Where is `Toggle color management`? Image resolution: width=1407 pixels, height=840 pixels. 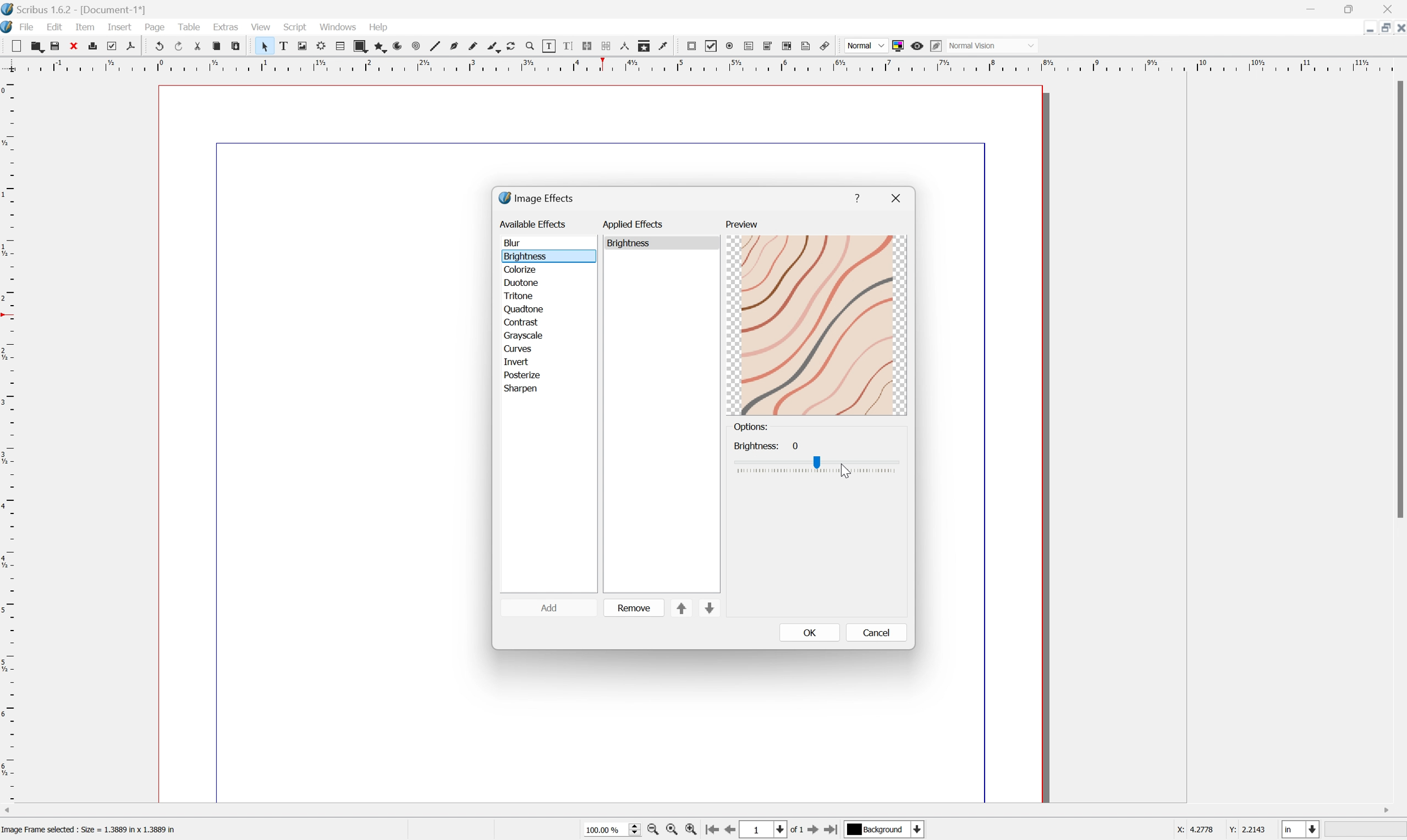
Toggle color management is located at coordinates (899, 45).